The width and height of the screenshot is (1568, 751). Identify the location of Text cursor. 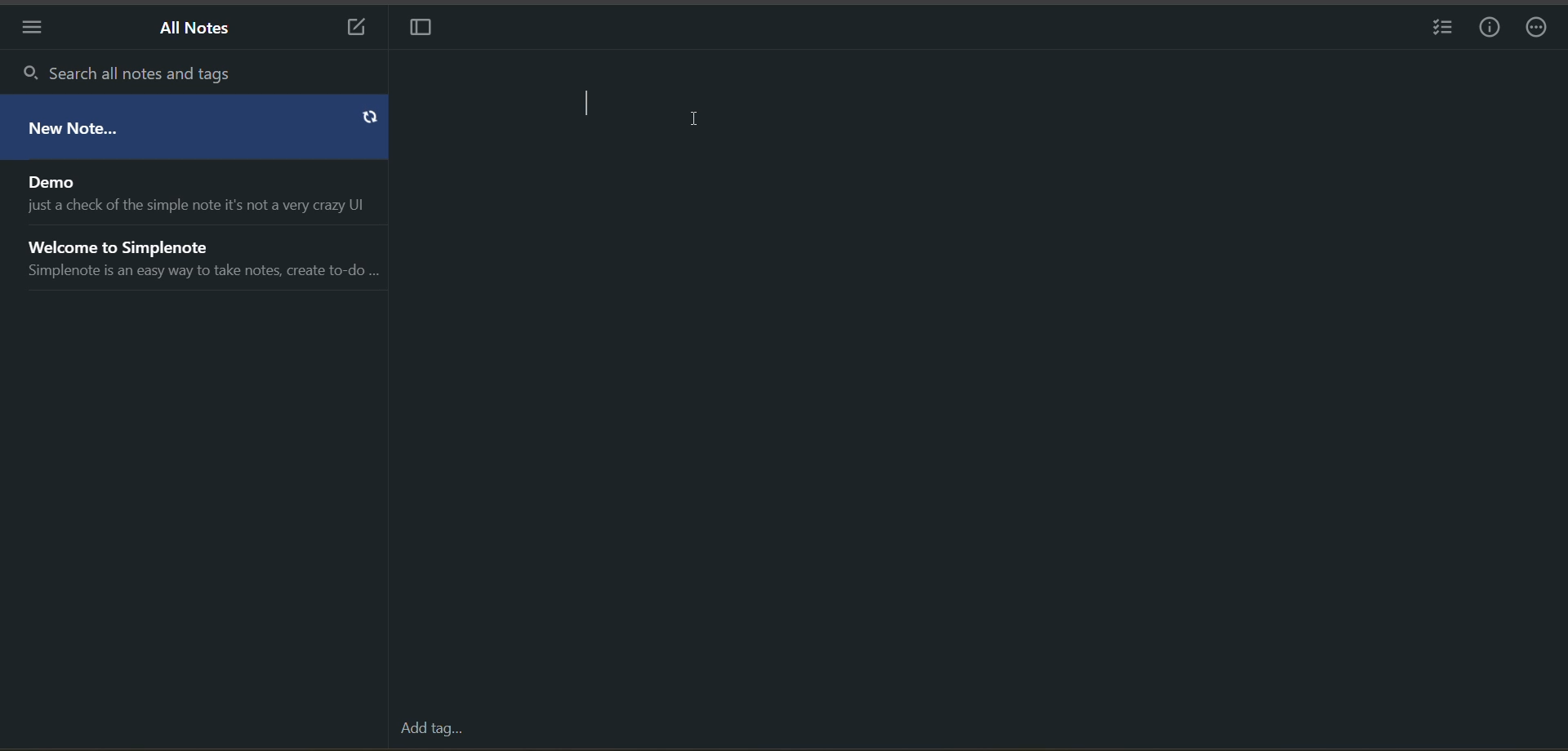
(689, 118).